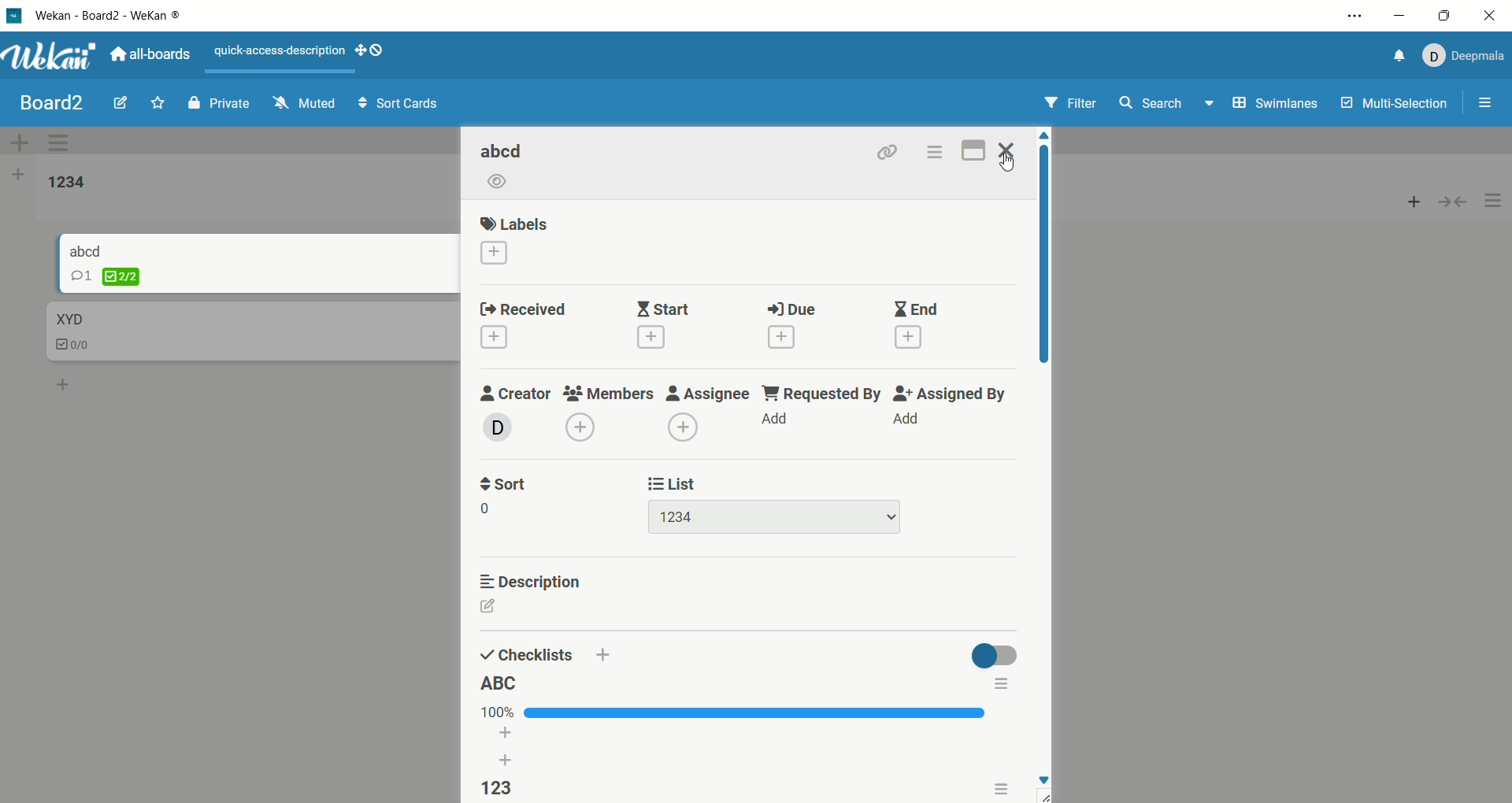  What do you see at coordinates (281, 52) in the screenshot?
I see `text` at bounding box center [281, 52].